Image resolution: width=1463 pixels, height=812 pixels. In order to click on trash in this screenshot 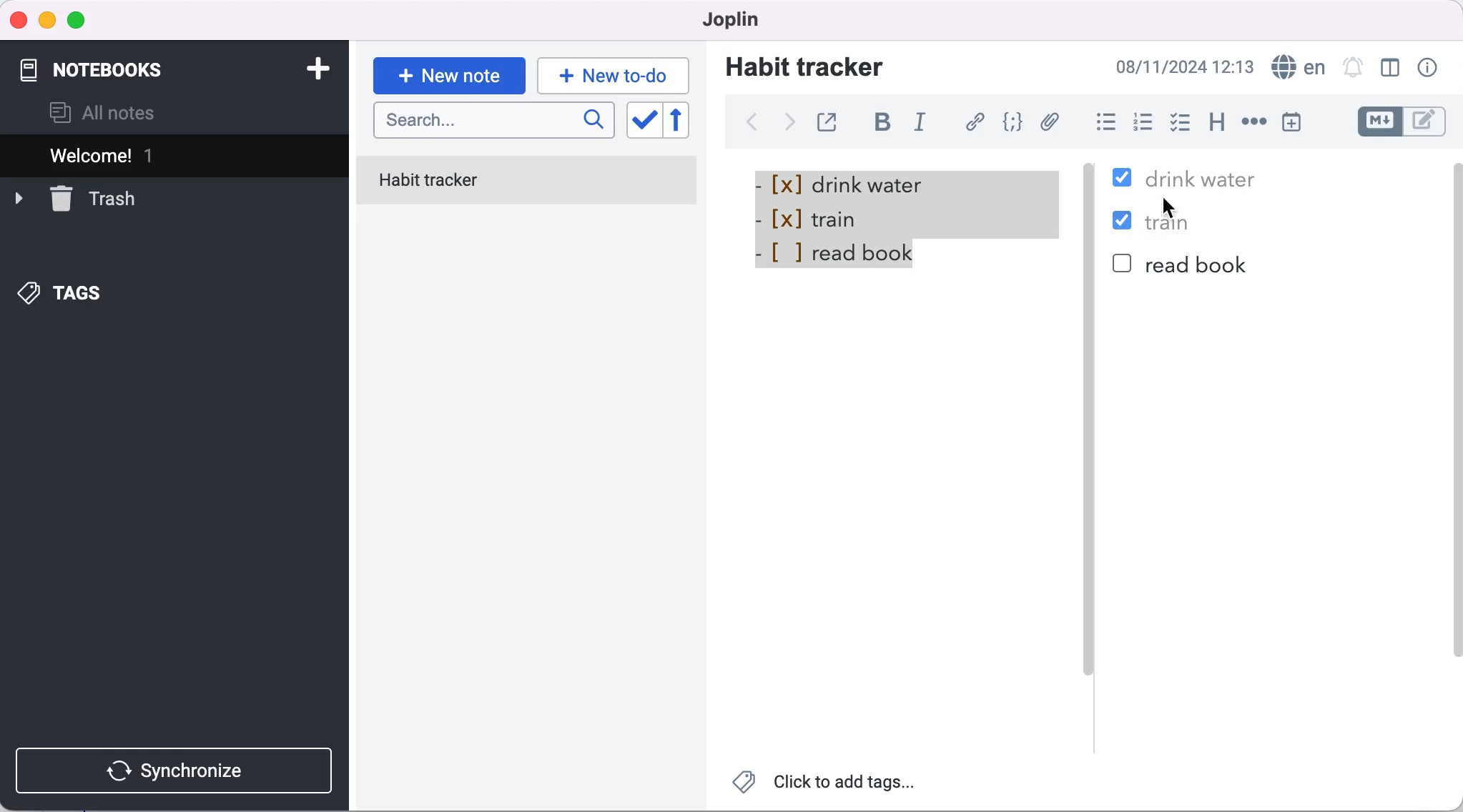, I will do `click(75, 197)`.